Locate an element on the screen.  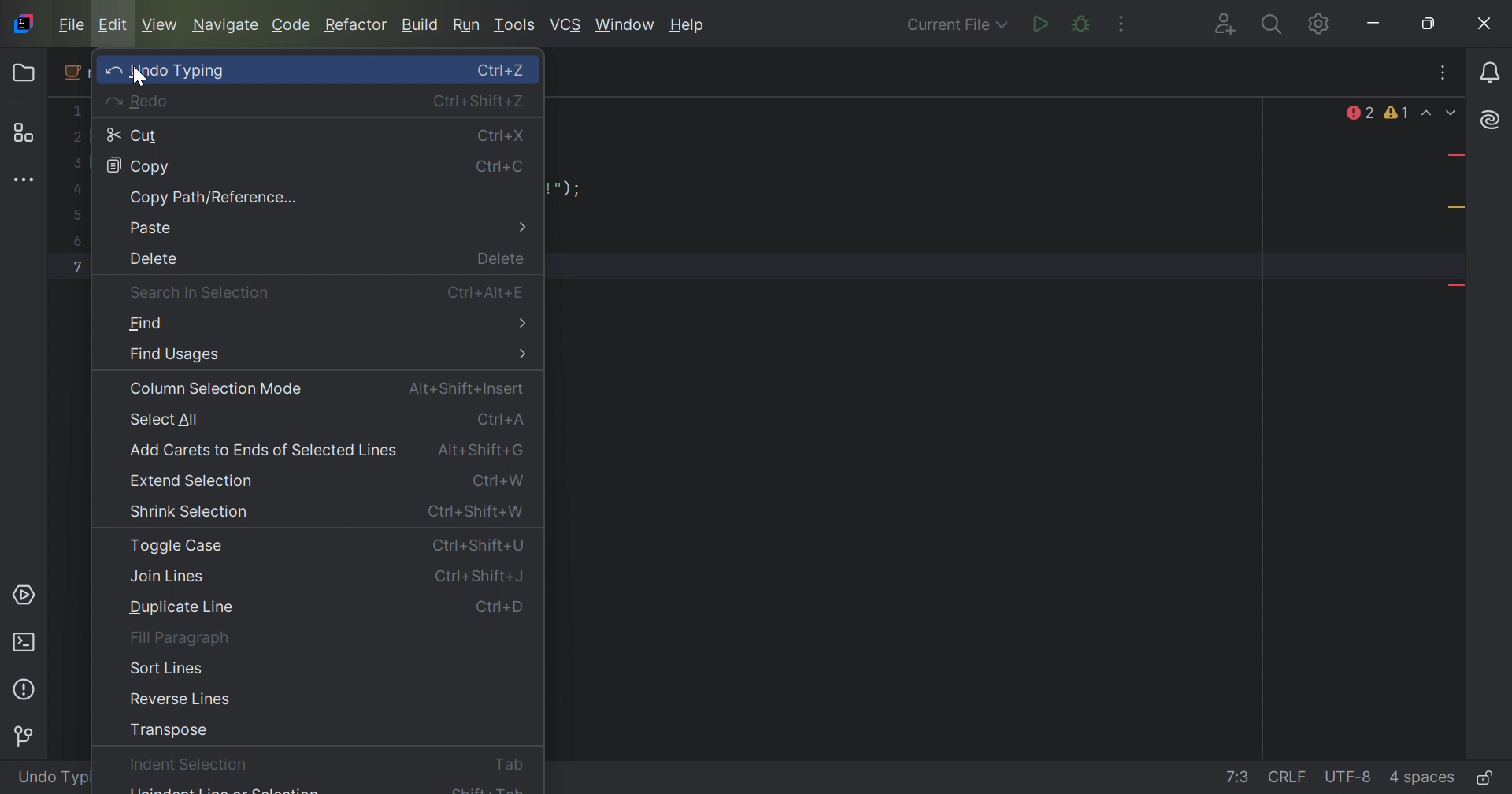
Run is located at coordinates (465, 24).